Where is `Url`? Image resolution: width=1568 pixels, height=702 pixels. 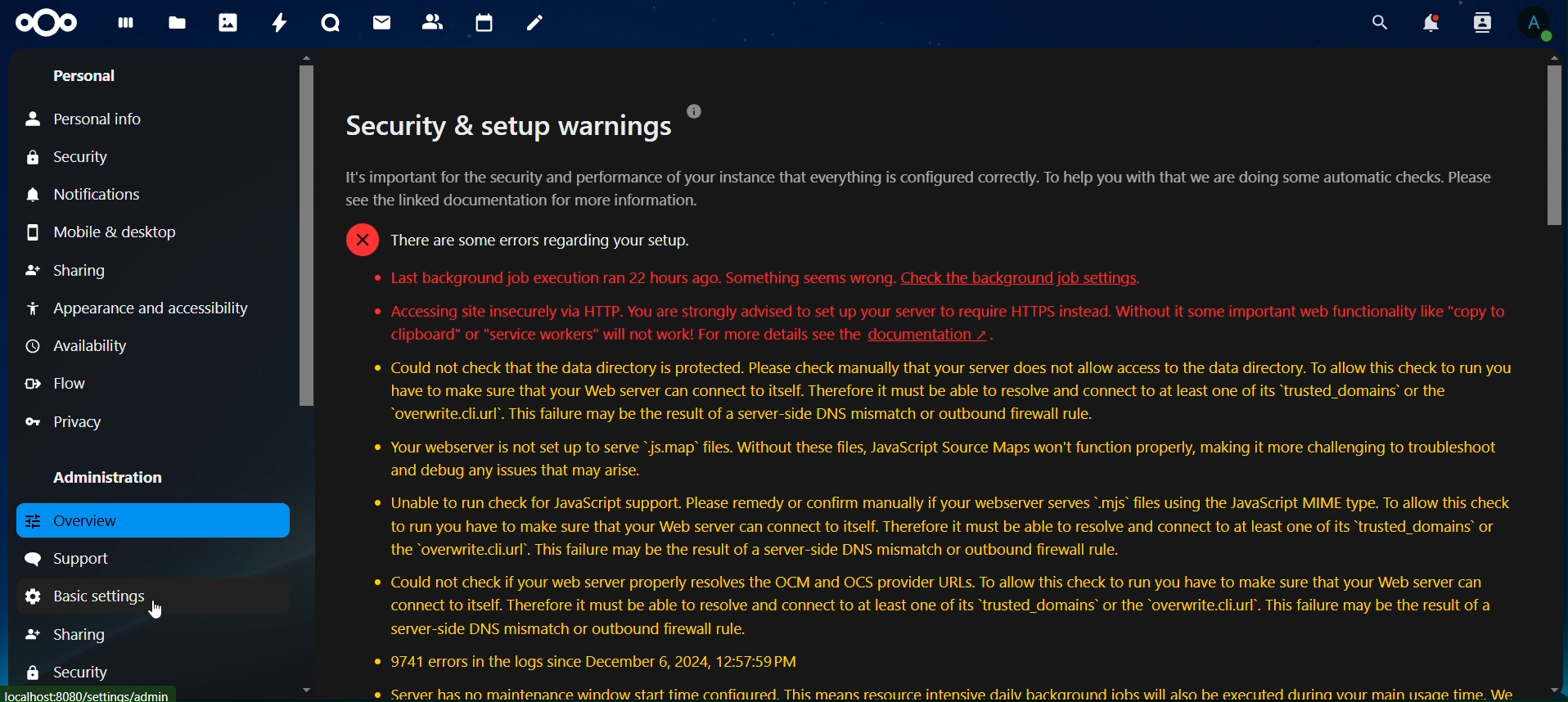 Url is located at coordinates (88, 696).